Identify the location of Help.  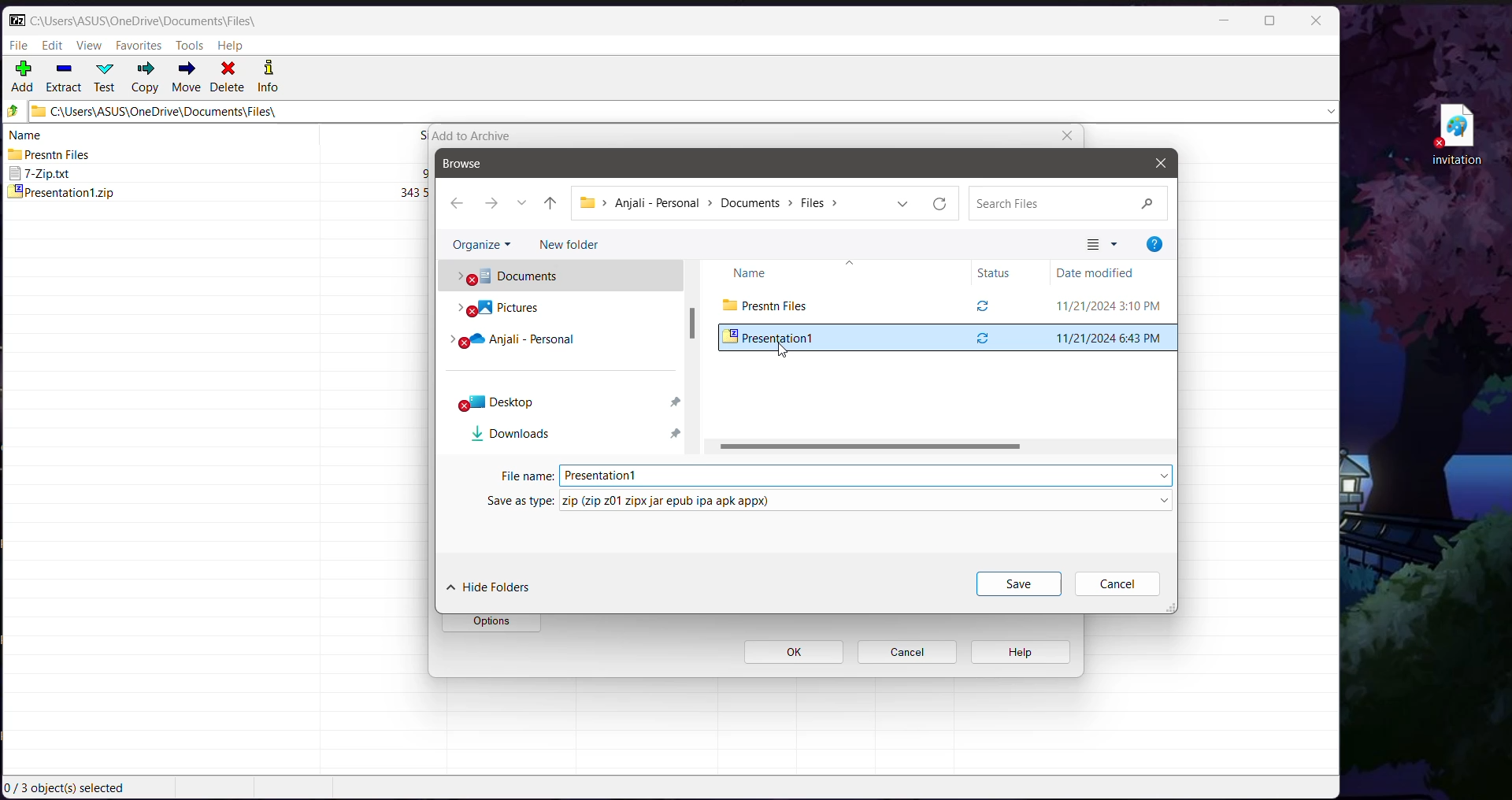
(232, 46).